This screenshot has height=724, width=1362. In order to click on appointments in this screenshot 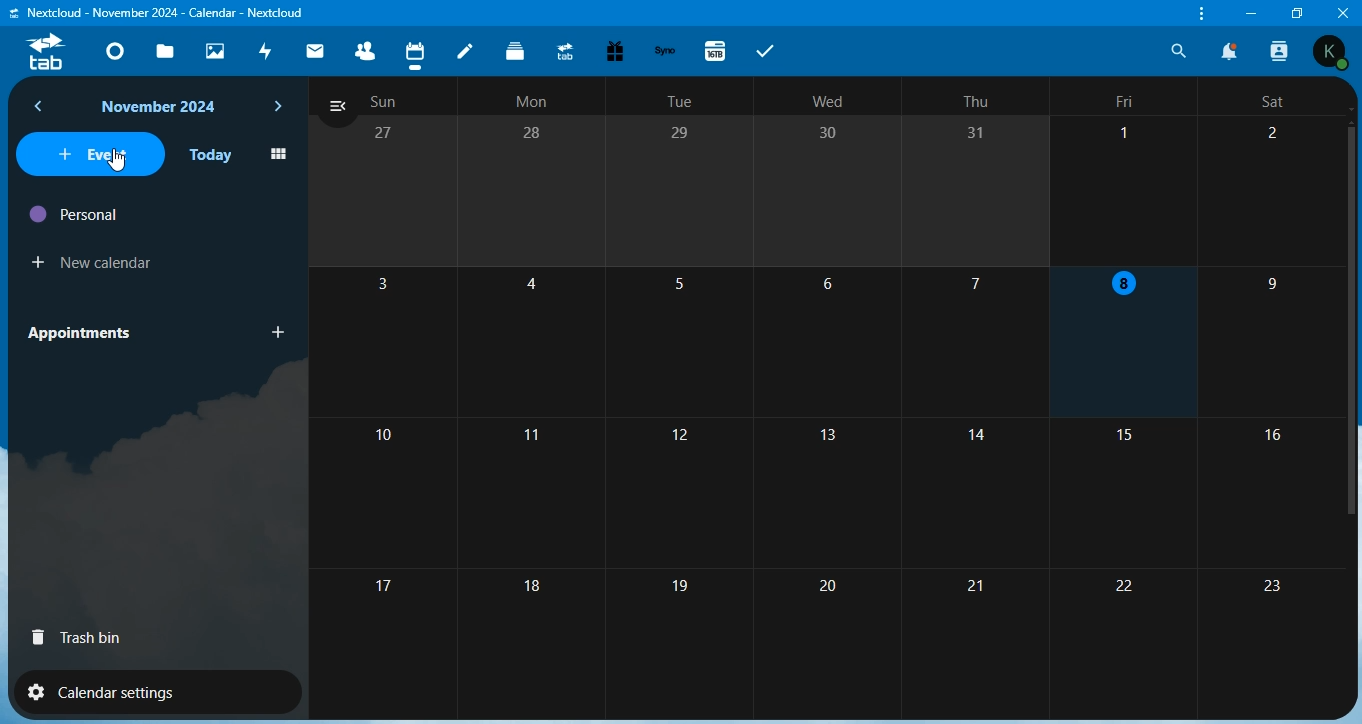, I will do `click(89, 333)`.